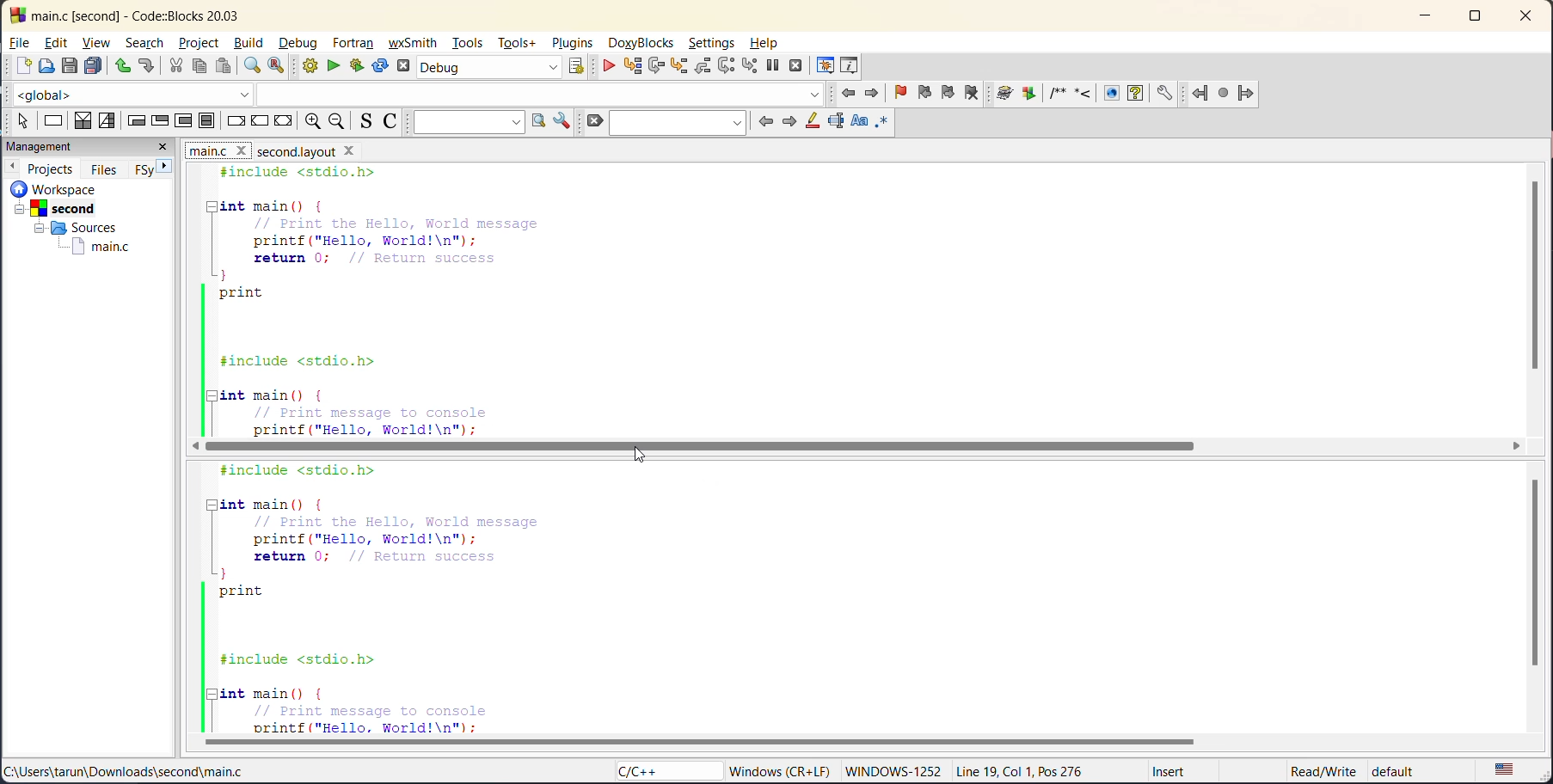  What do you see at coordinates (746, 65) in the screenshot?
I see `step into instruction` at bounding box center [746, 65].